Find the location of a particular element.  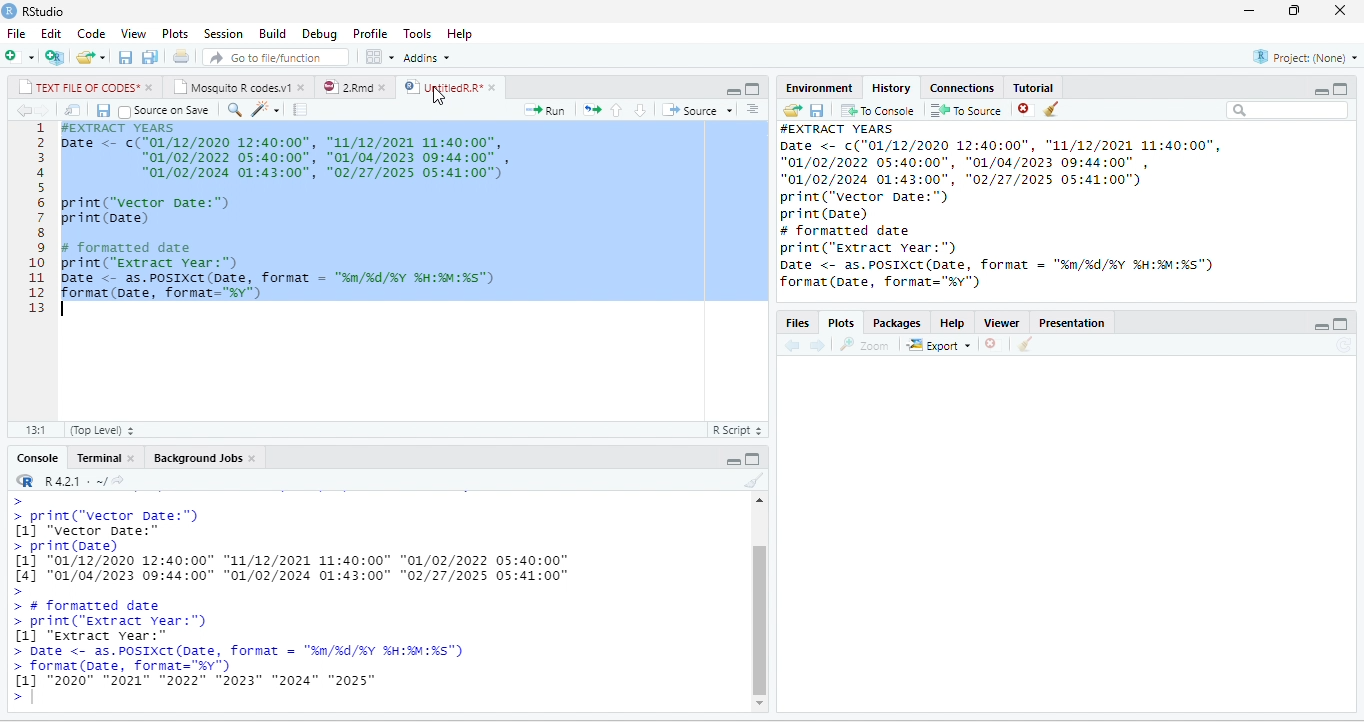

2.Rmd is located at coordinates (346, 87).